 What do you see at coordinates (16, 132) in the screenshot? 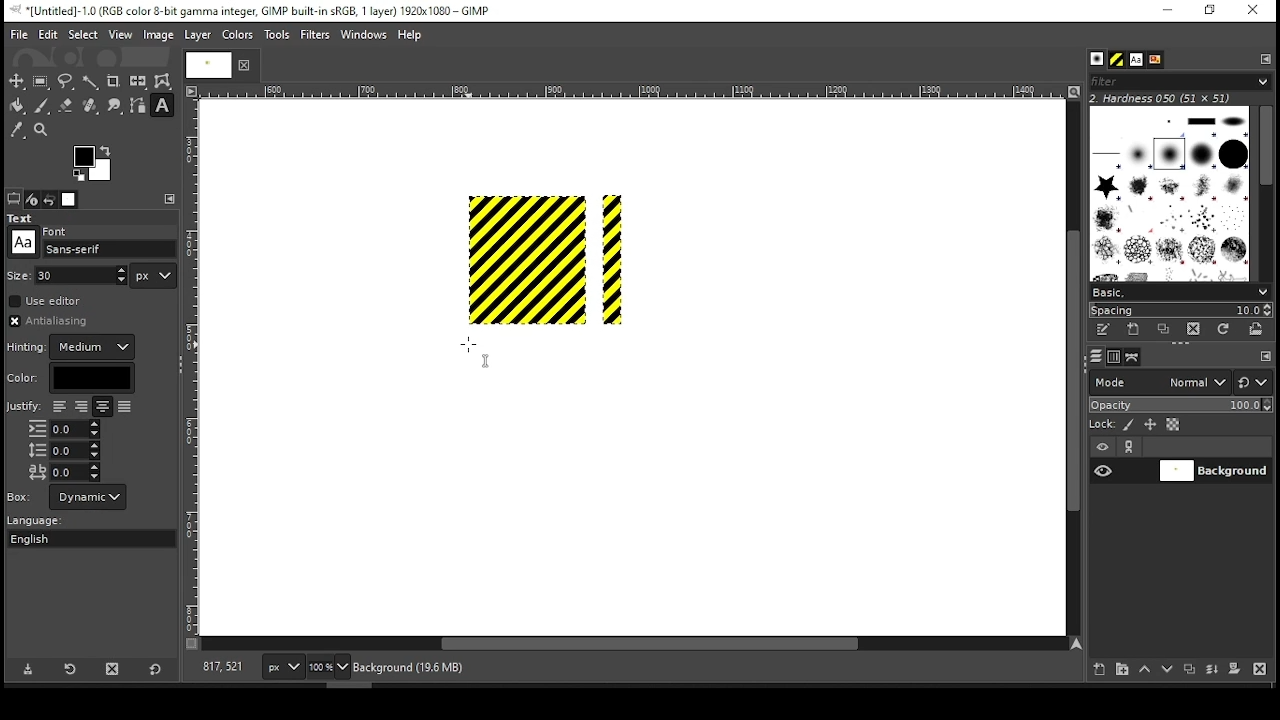
I see `color picker tool` at bounding box center [16, 132].